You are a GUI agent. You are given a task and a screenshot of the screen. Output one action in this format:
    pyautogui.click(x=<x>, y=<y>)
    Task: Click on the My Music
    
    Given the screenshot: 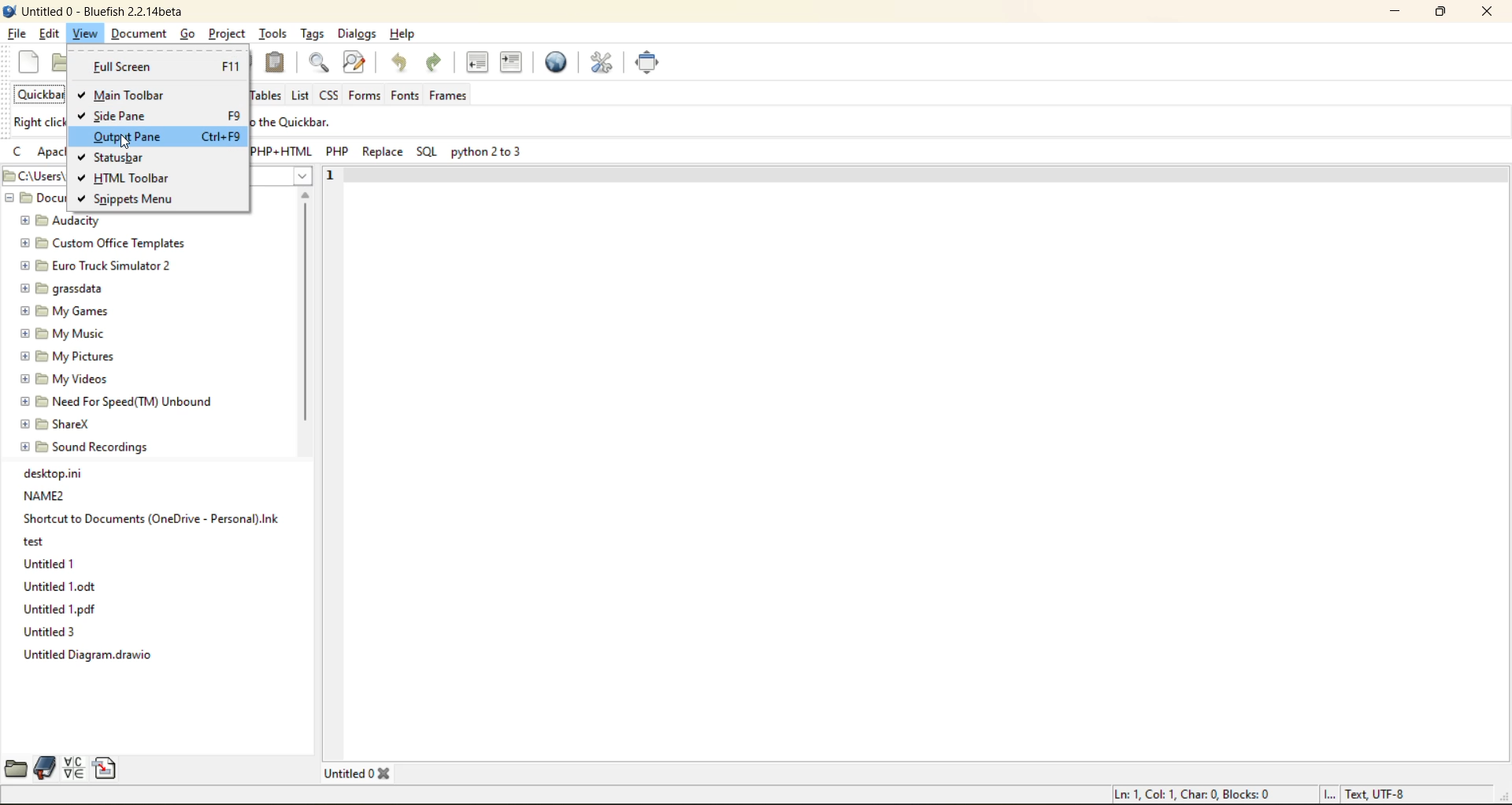 What is the action you would take?
    pyautogui.click(x=60, y=334)
    